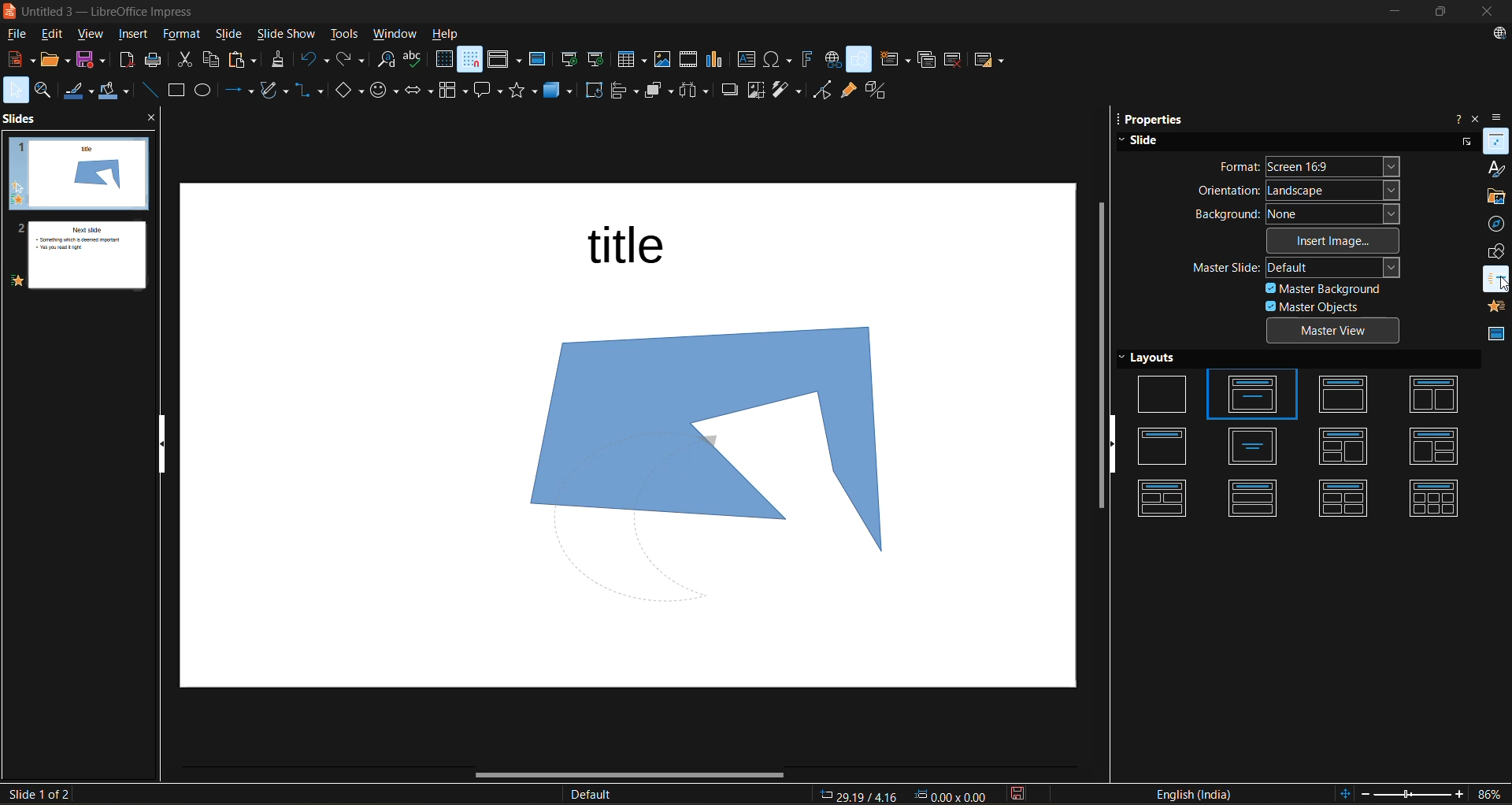 The image size is (1512, 805). I want to click on master slide, so click(1305, 268).